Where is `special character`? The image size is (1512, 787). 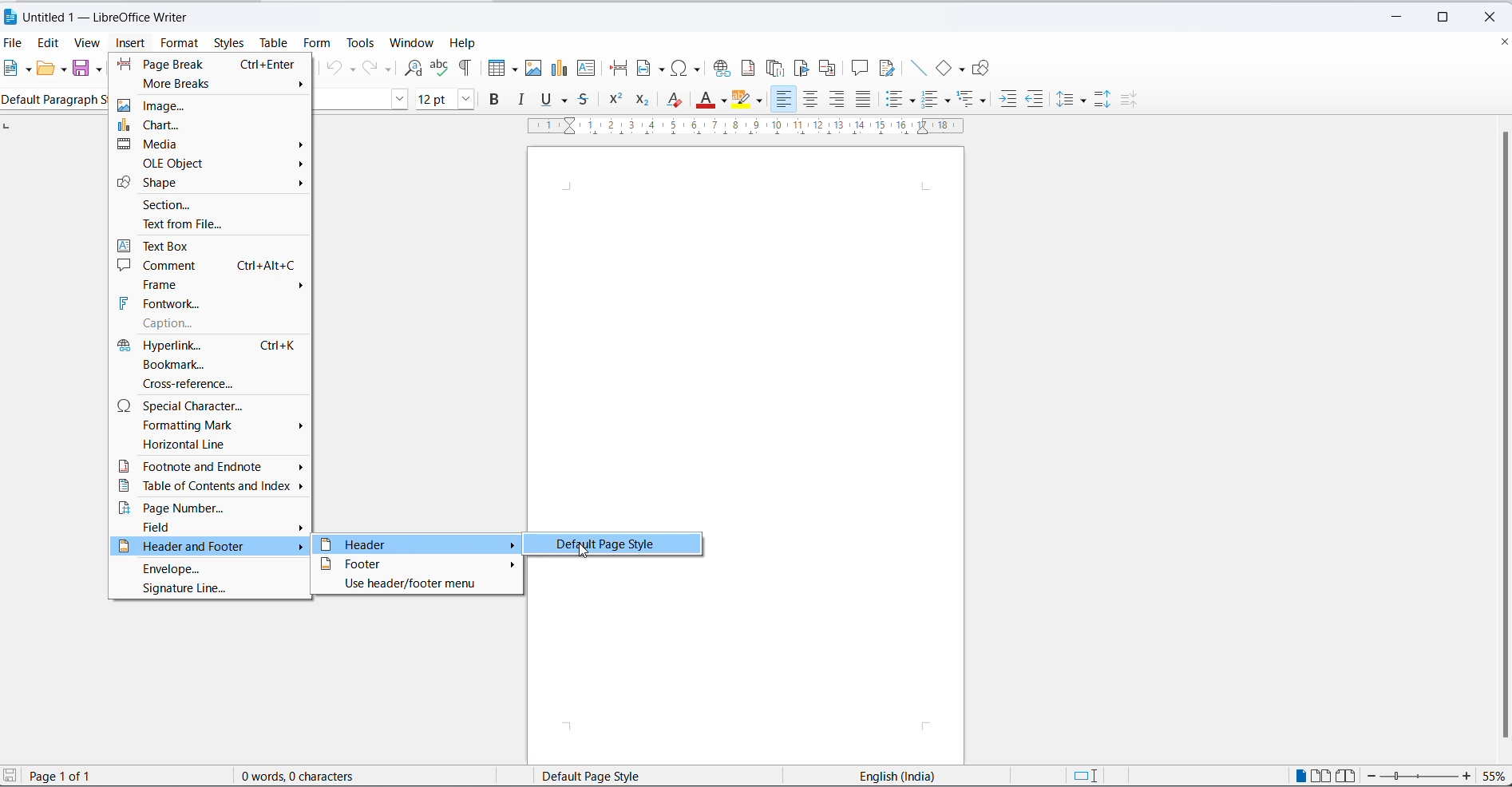 special character is located at coordinates (212, 405).